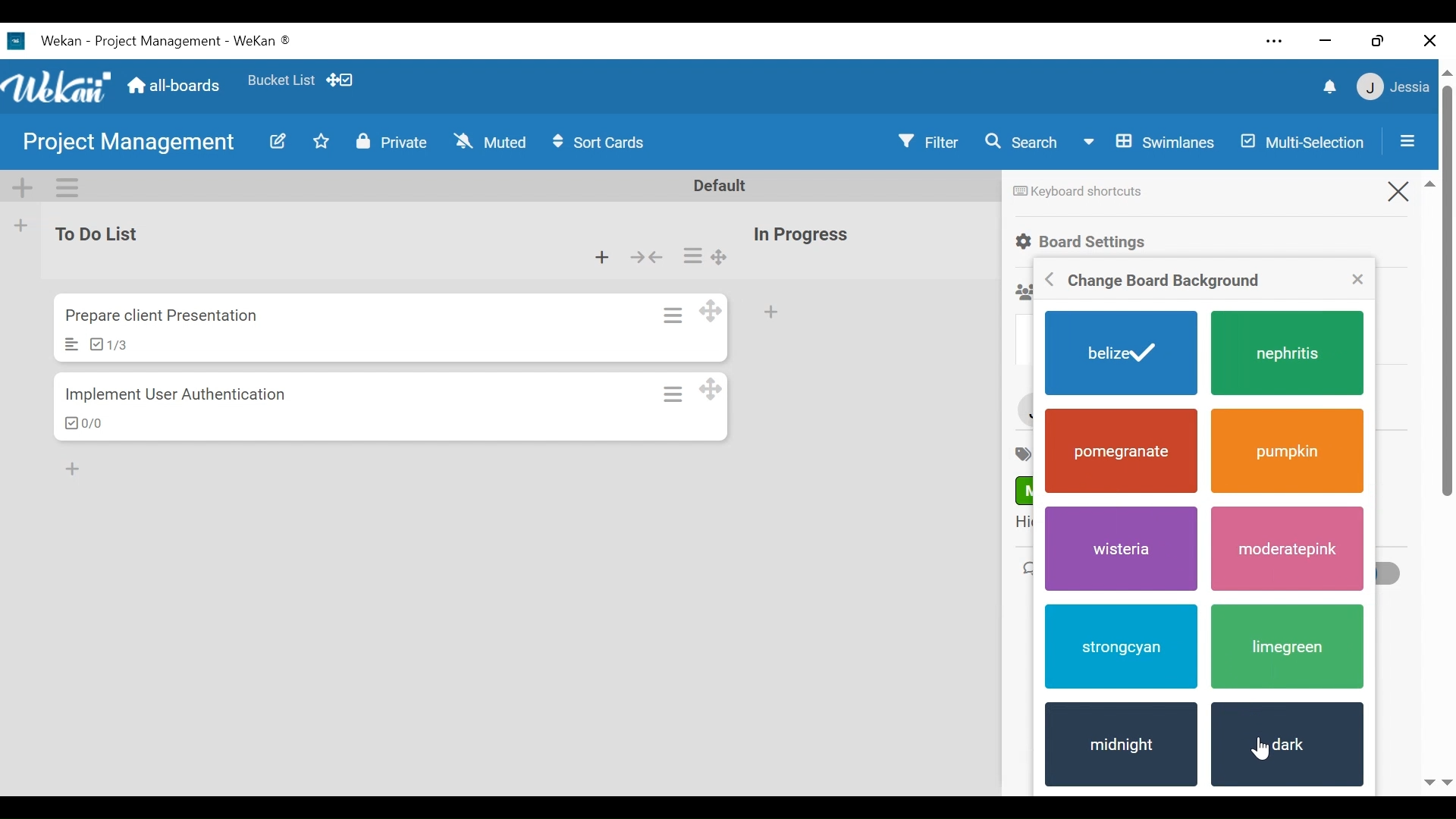 The height and width of the screenshot is (819, 1456). Describe the element at coordinates (71, 344) in the screenshot. I see `Description` at that location.